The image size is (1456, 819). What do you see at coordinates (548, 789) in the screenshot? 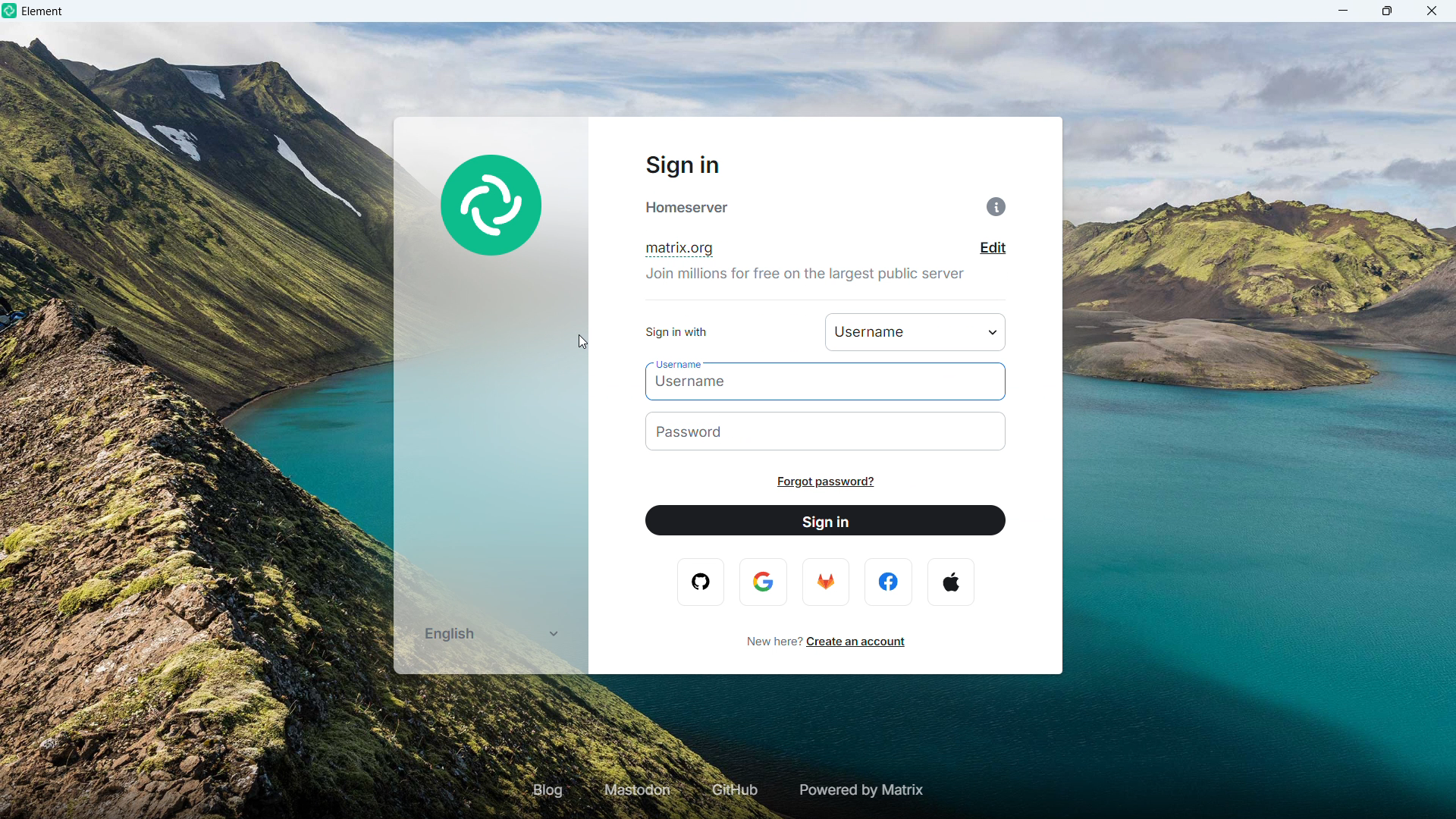
I see `Blog ` at bounding box center [548, 789].